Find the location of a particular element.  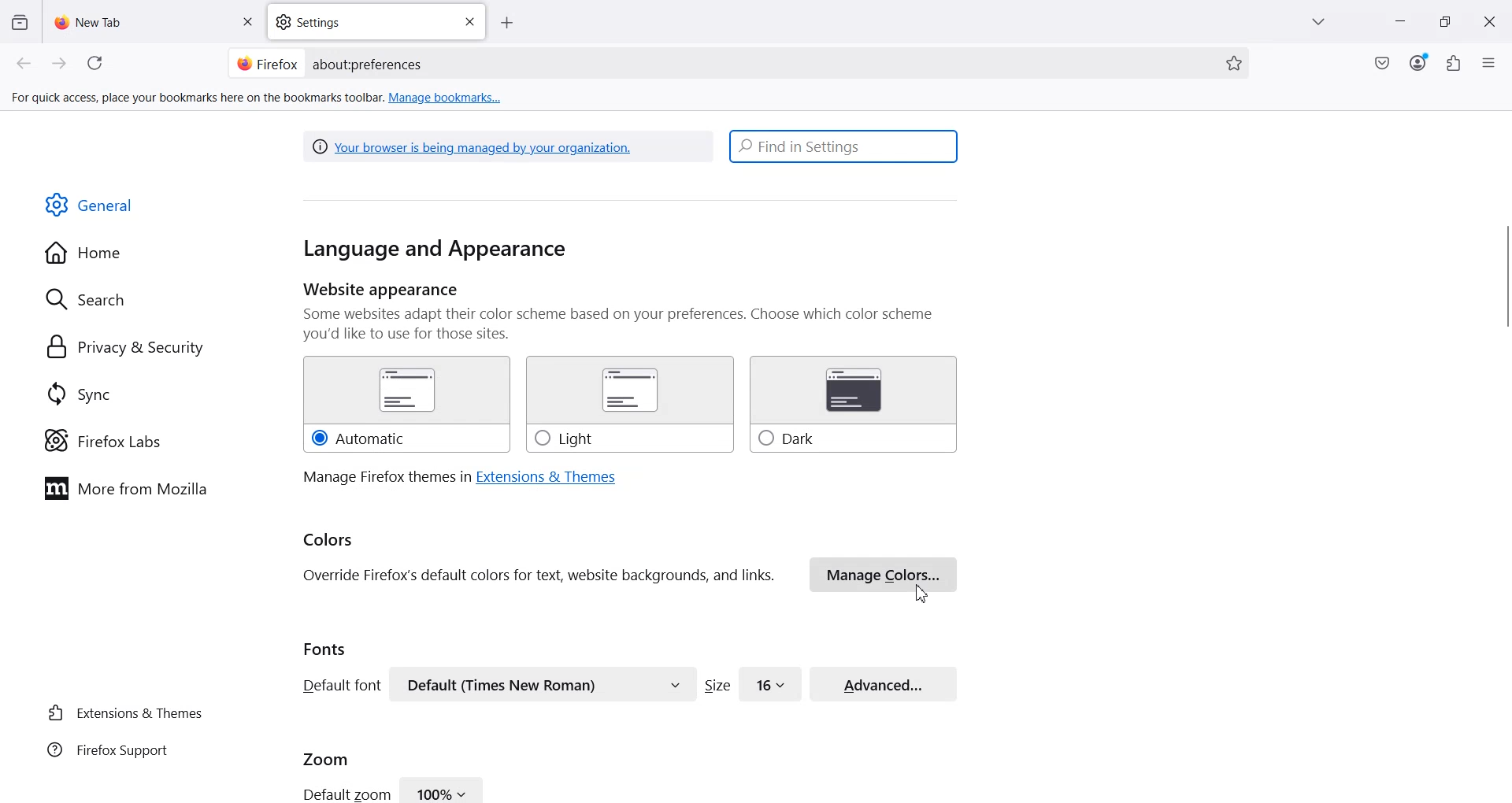

16 is located at coordinates (771, 683).